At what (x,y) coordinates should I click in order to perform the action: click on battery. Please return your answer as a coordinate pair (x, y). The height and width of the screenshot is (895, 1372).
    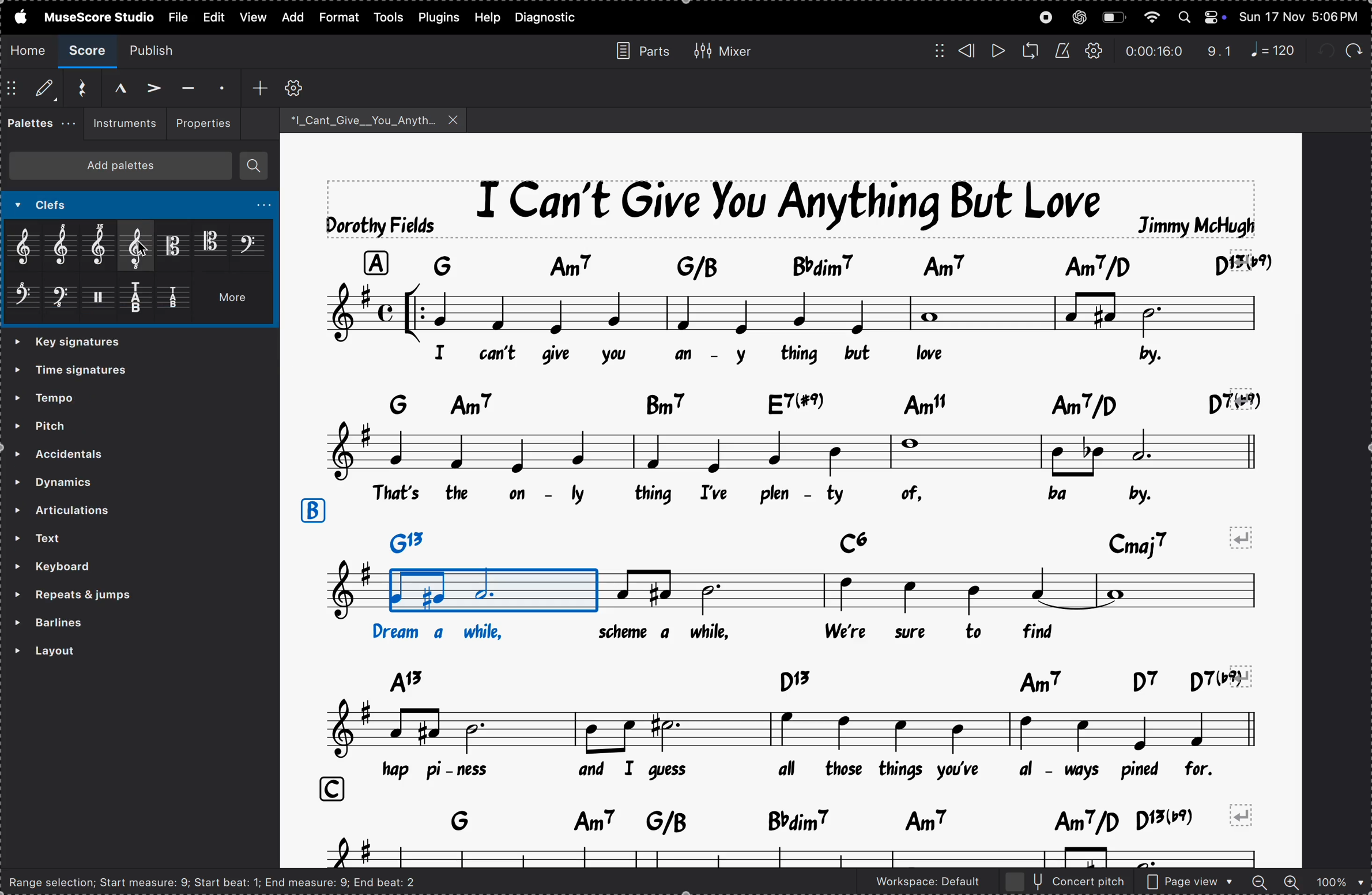
    Looking at the image, I should click on (1113, 18).